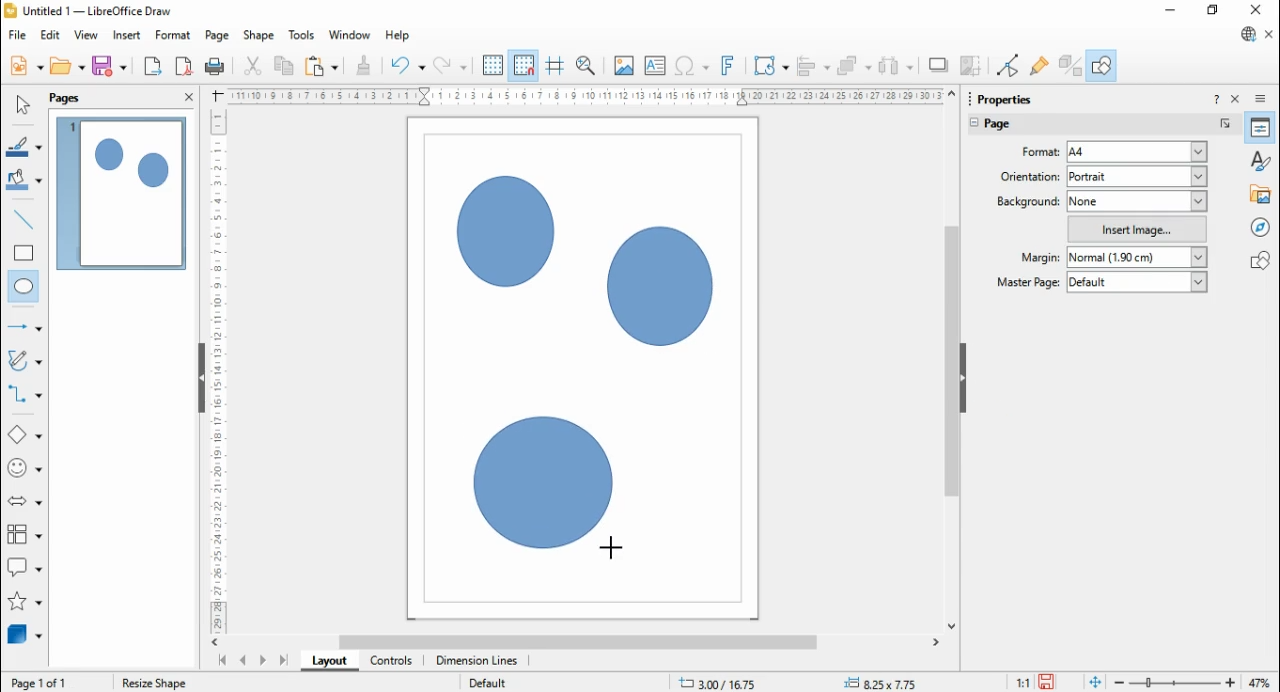 Image resolution: width=1280 pixels, height=692 pixels. Describe the element at coordinates (813, 66) in the screenshot. I see `align  objects` at that location.